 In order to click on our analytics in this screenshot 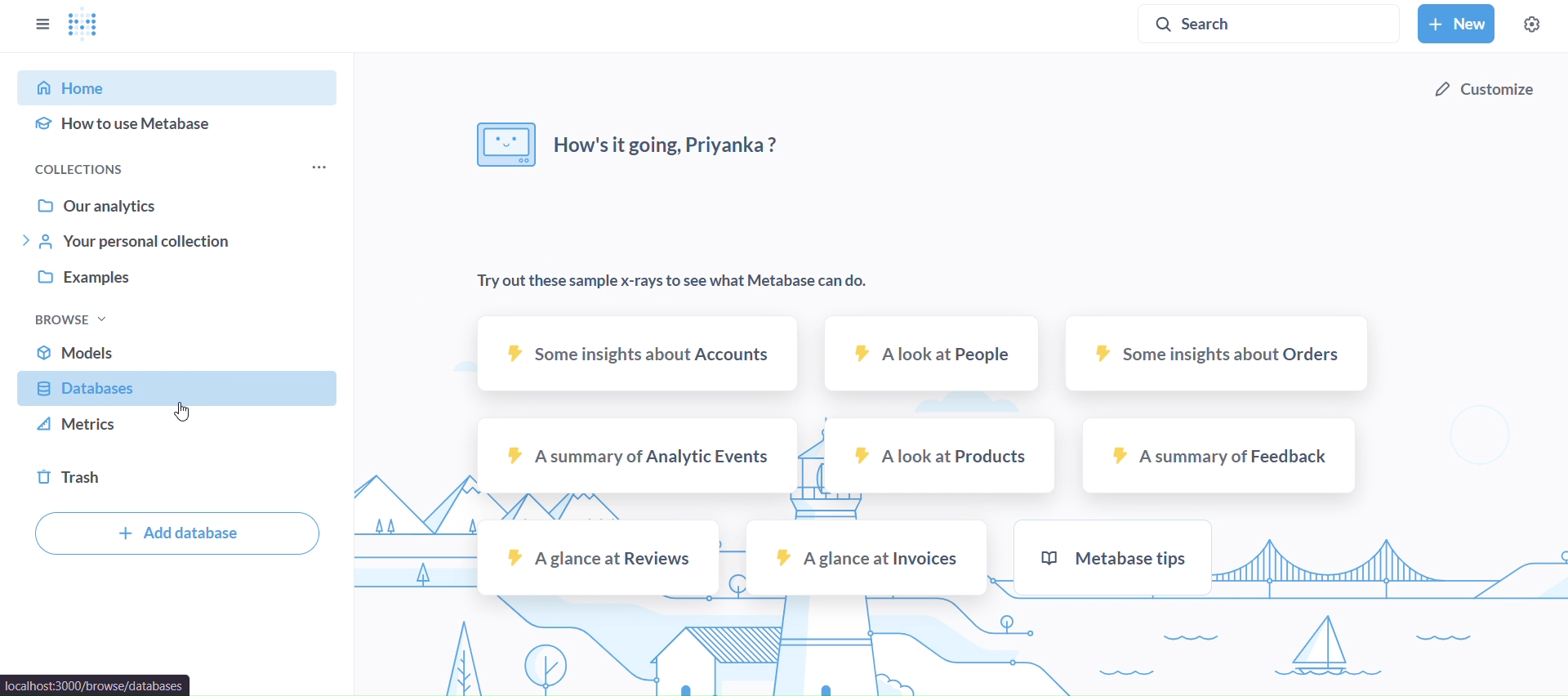, I will do `click(177, 203)`.